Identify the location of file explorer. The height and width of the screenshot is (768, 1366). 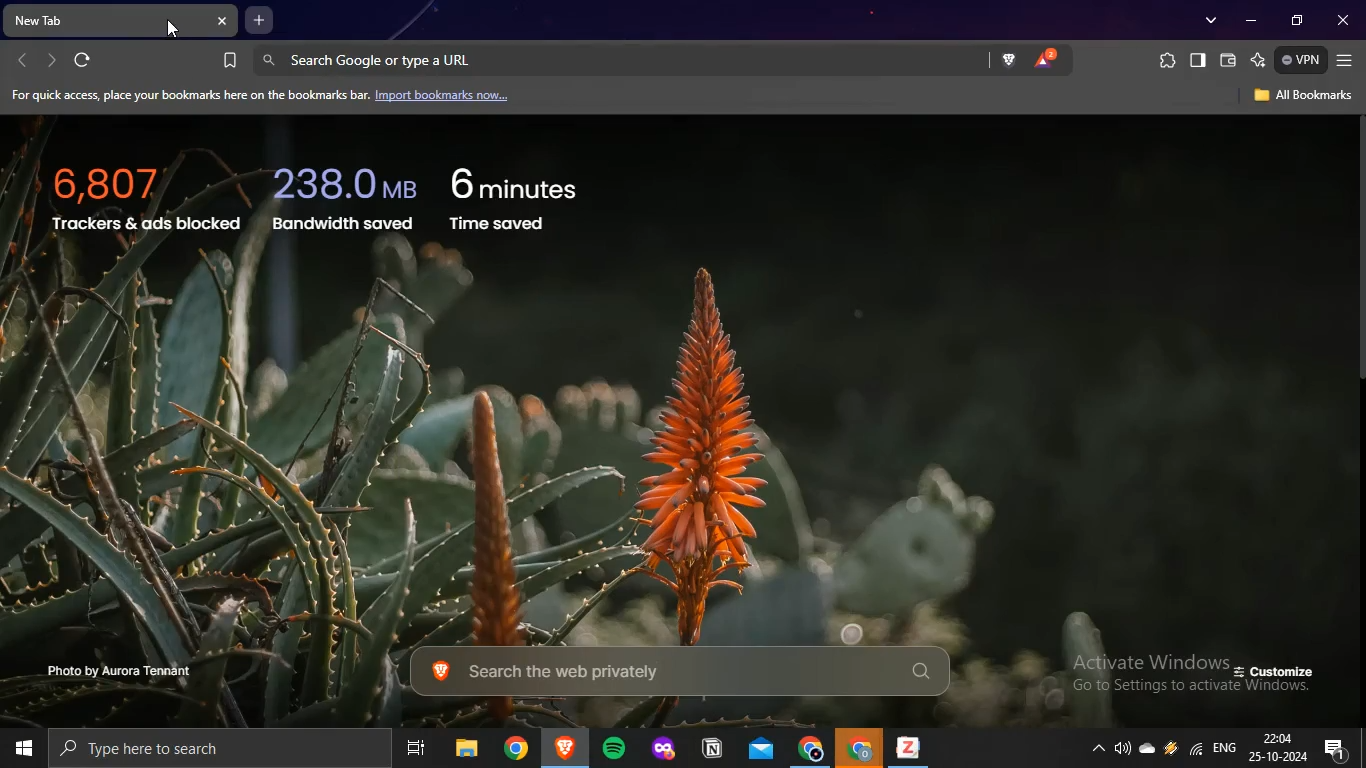
(471, 748).